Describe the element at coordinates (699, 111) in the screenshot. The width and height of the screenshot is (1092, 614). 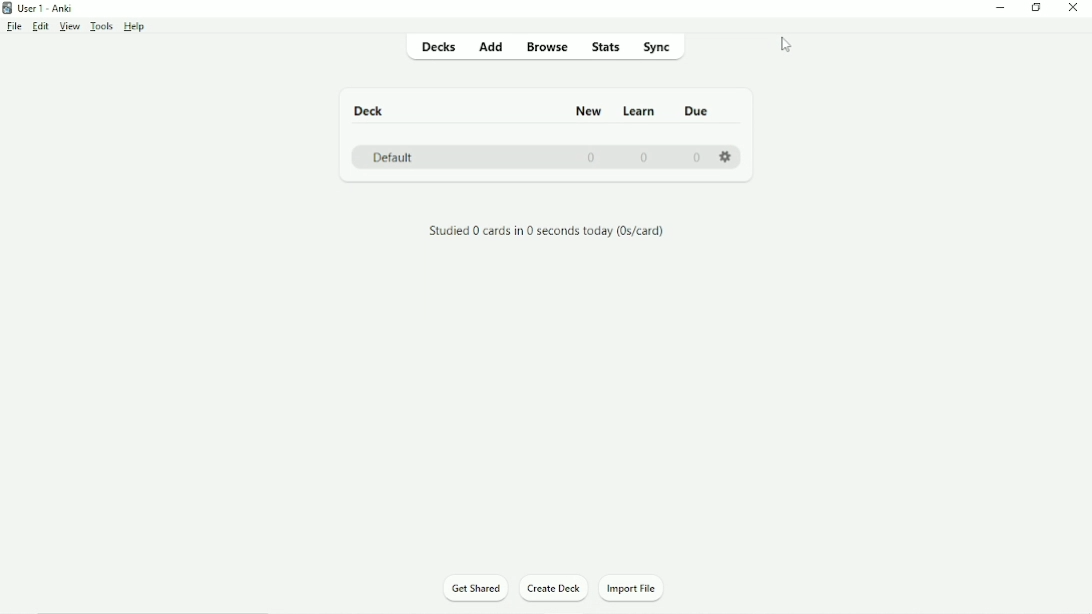
I see `Due` at that location.